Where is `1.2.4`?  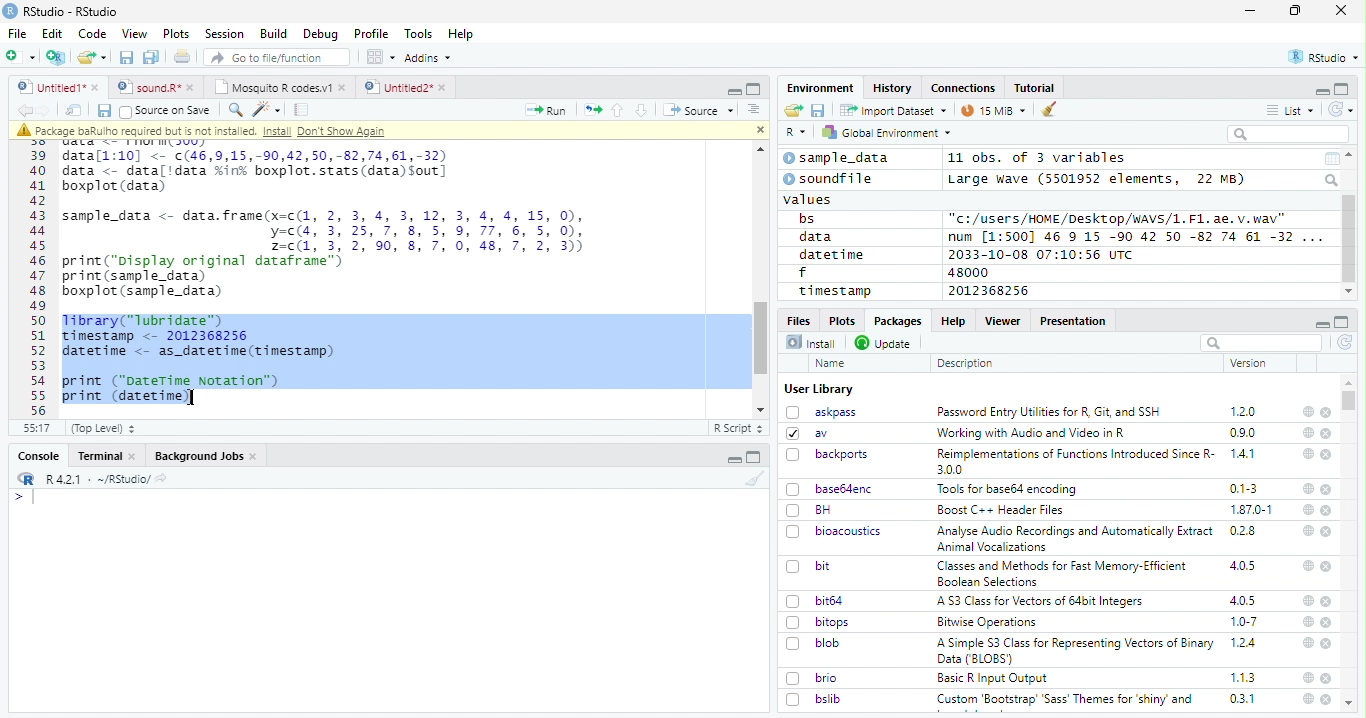
1.2.4 is located at coordinates (1245, 642).